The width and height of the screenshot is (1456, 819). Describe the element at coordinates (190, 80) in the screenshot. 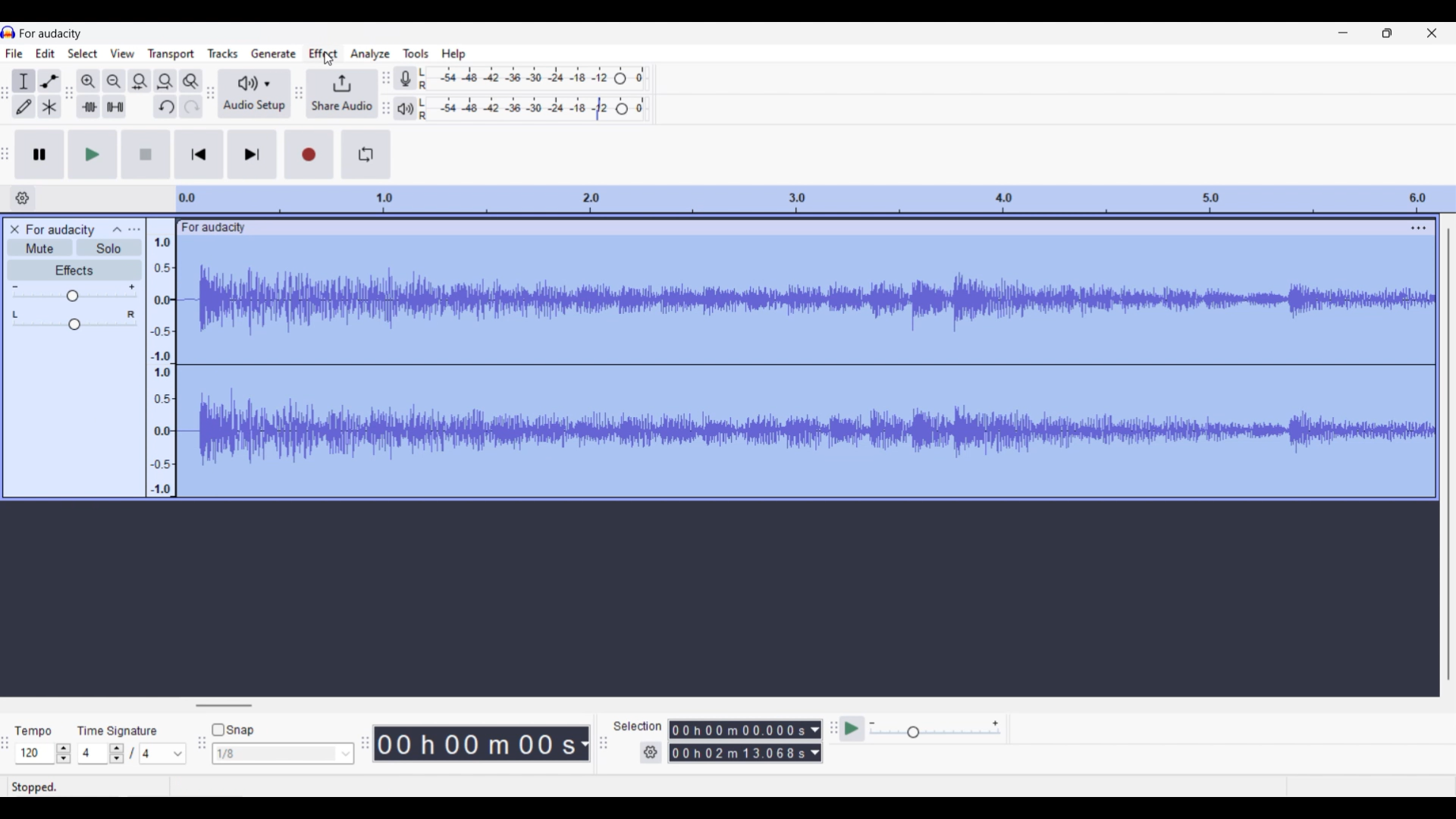

I see `Zoom toggle` at that location.